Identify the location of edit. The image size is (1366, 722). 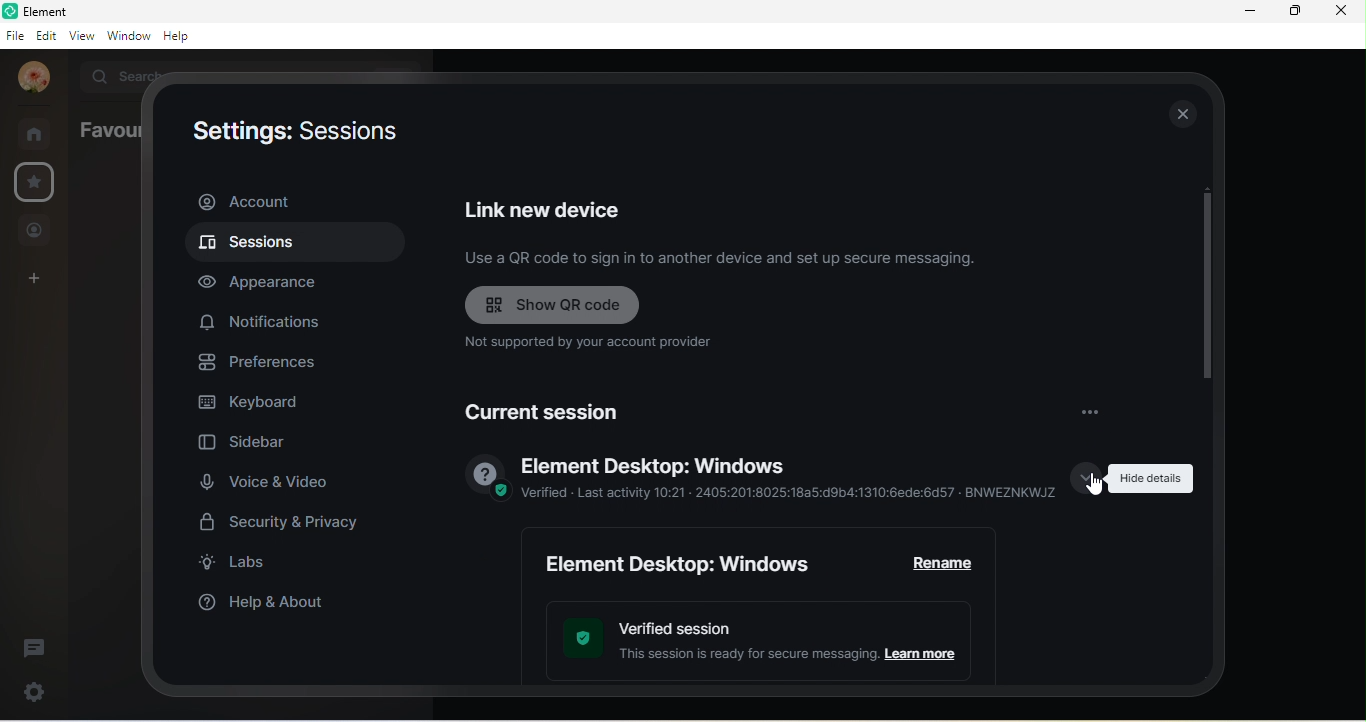
(47, 35).